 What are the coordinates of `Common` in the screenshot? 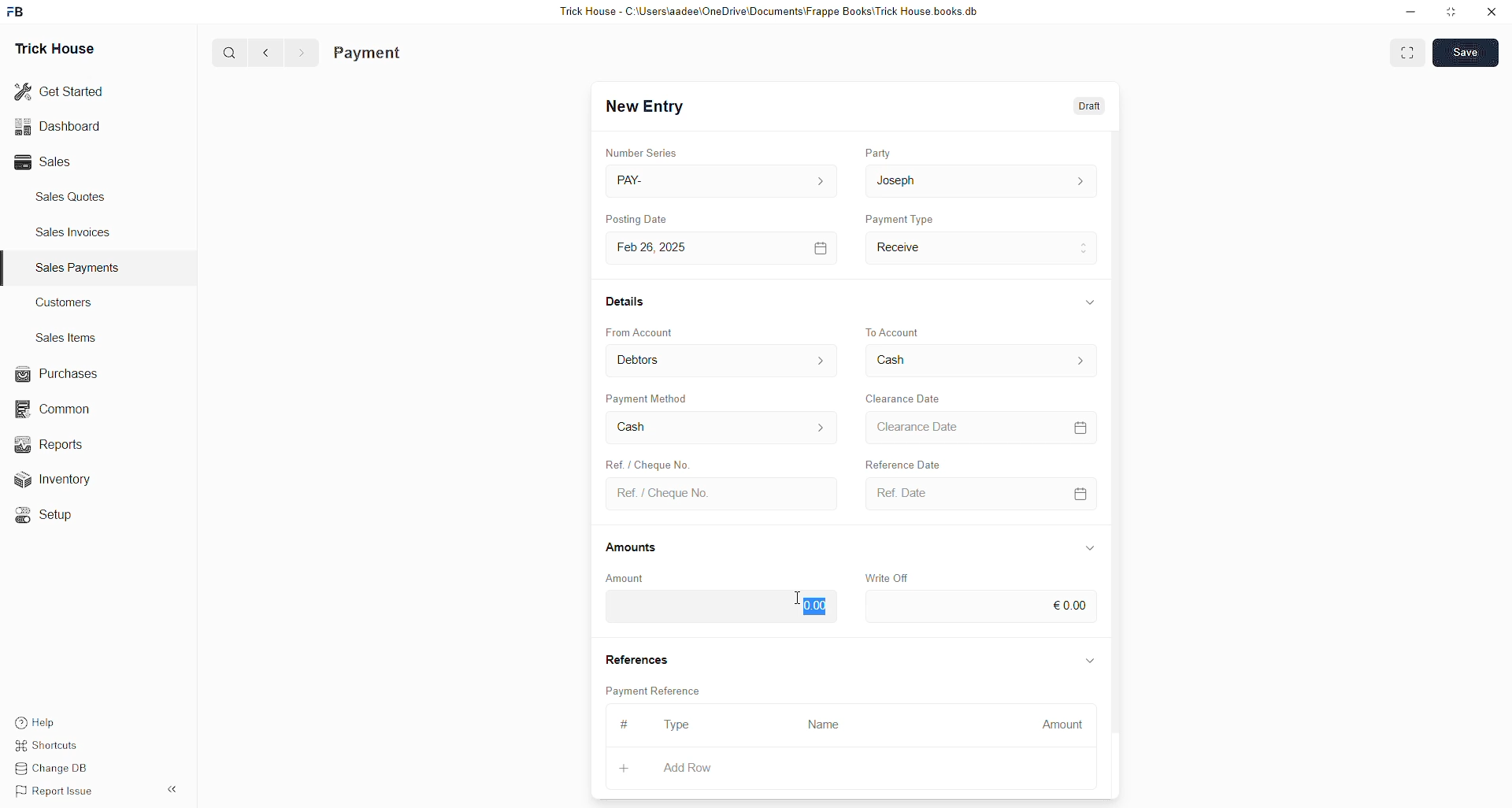 It's located at (60, 410).